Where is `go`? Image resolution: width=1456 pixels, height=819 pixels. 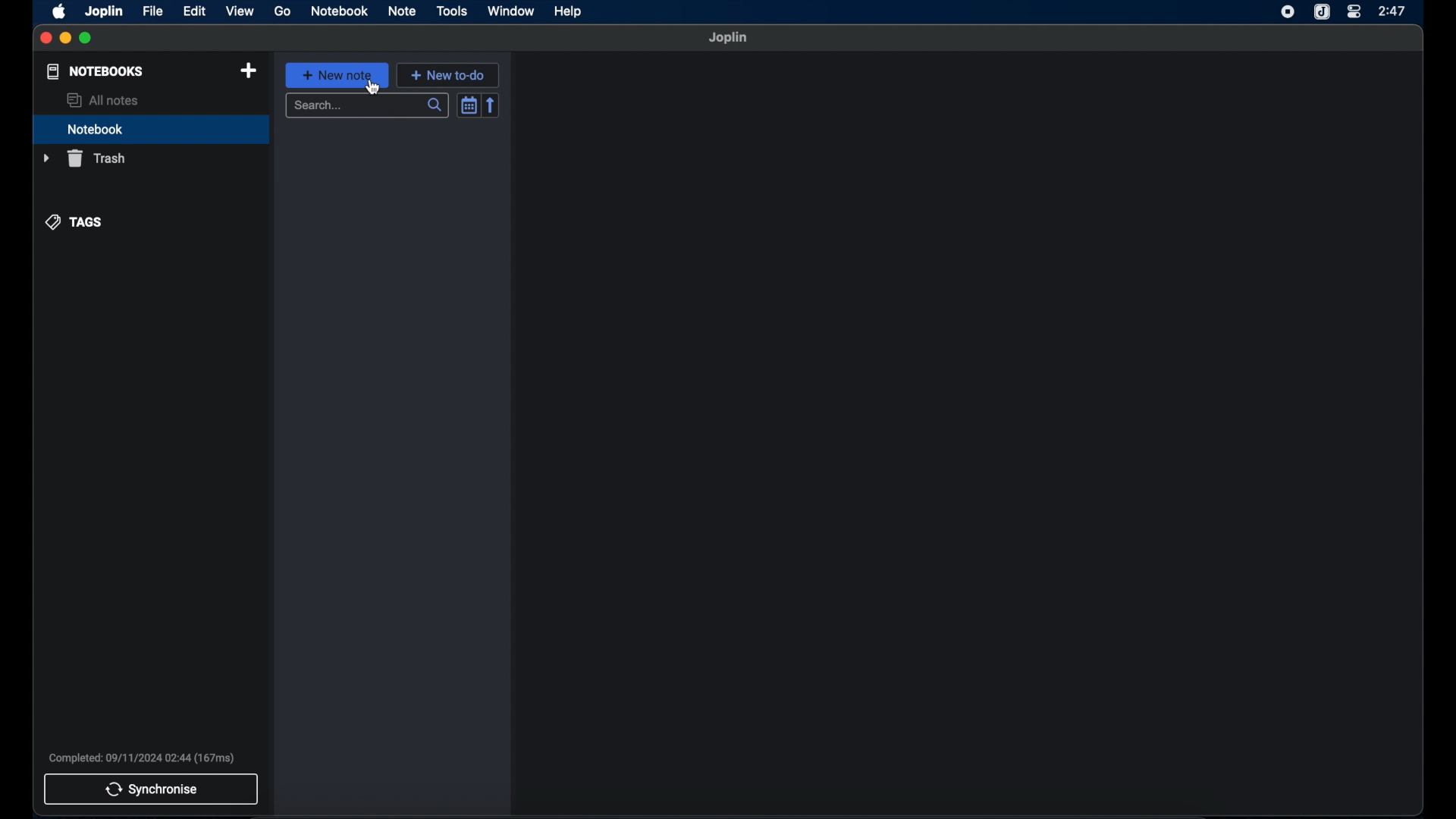
go is located at coordinates (283, 12).